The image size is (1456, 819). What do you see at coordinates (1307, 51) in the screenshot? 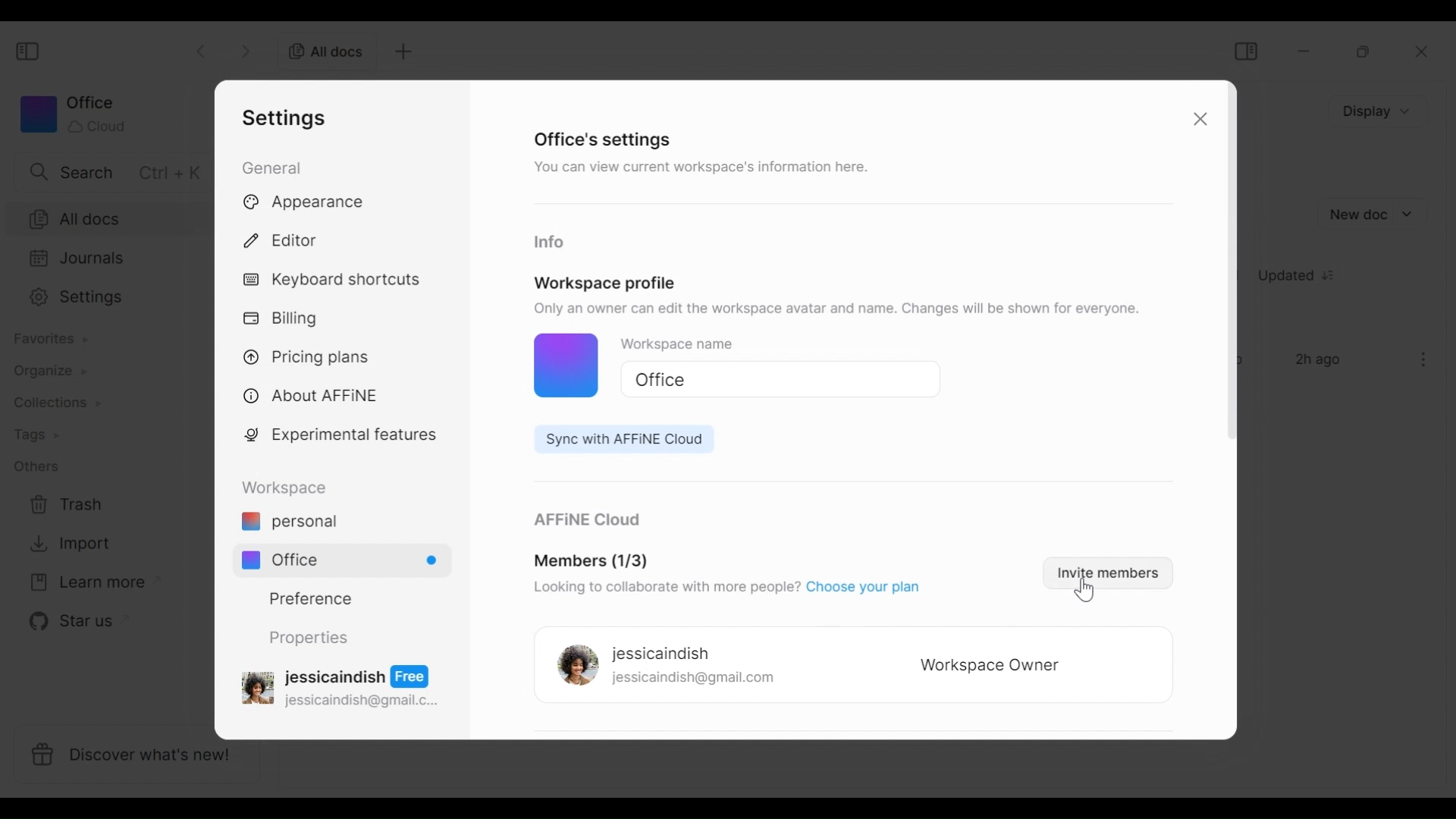
I see `minimize` at bounding box center [1307, 51].